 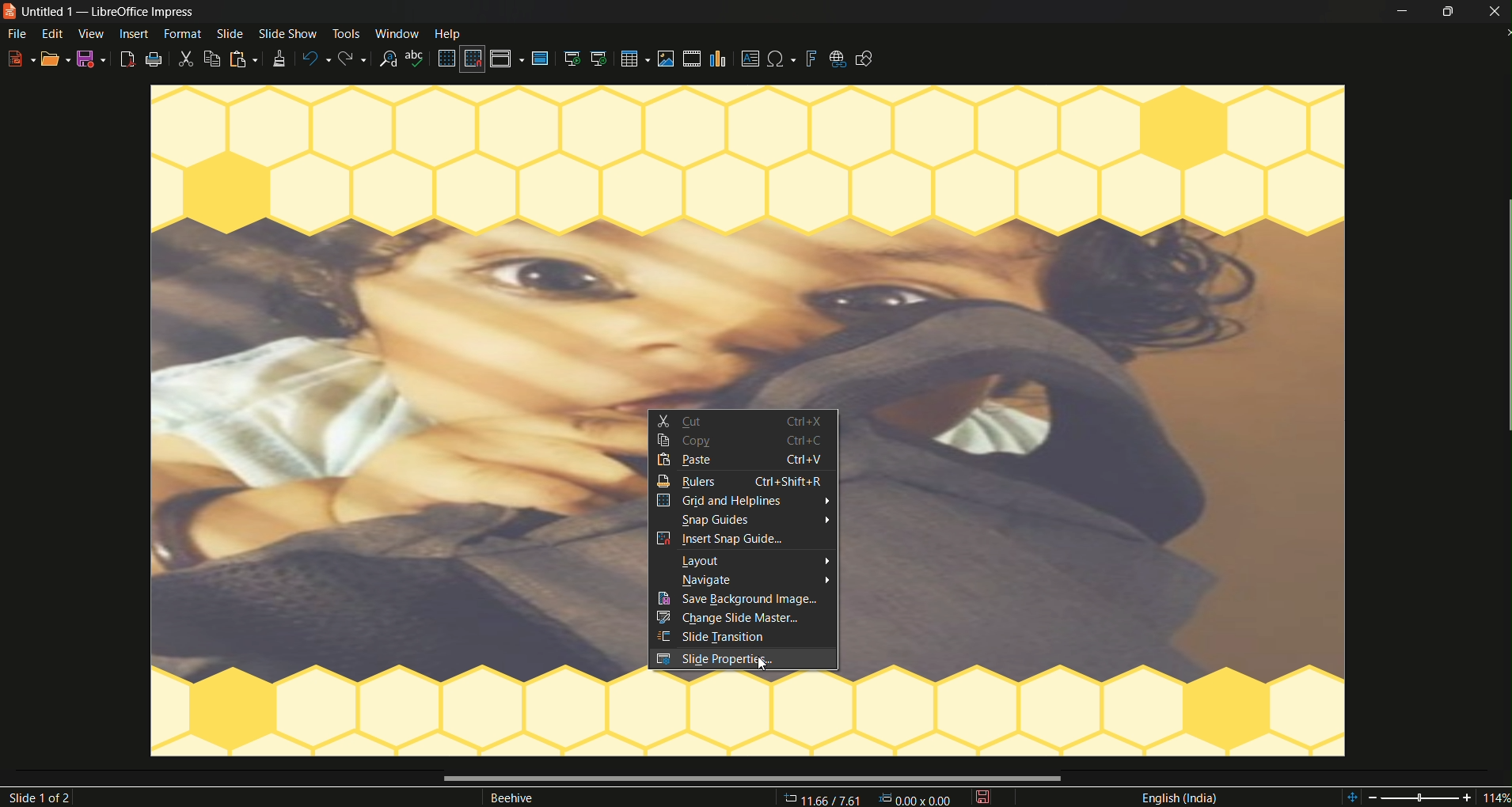 What do you see at coordinates (314, 56) in the screenshot?
I see `undo` at bounding box center [314, 56].